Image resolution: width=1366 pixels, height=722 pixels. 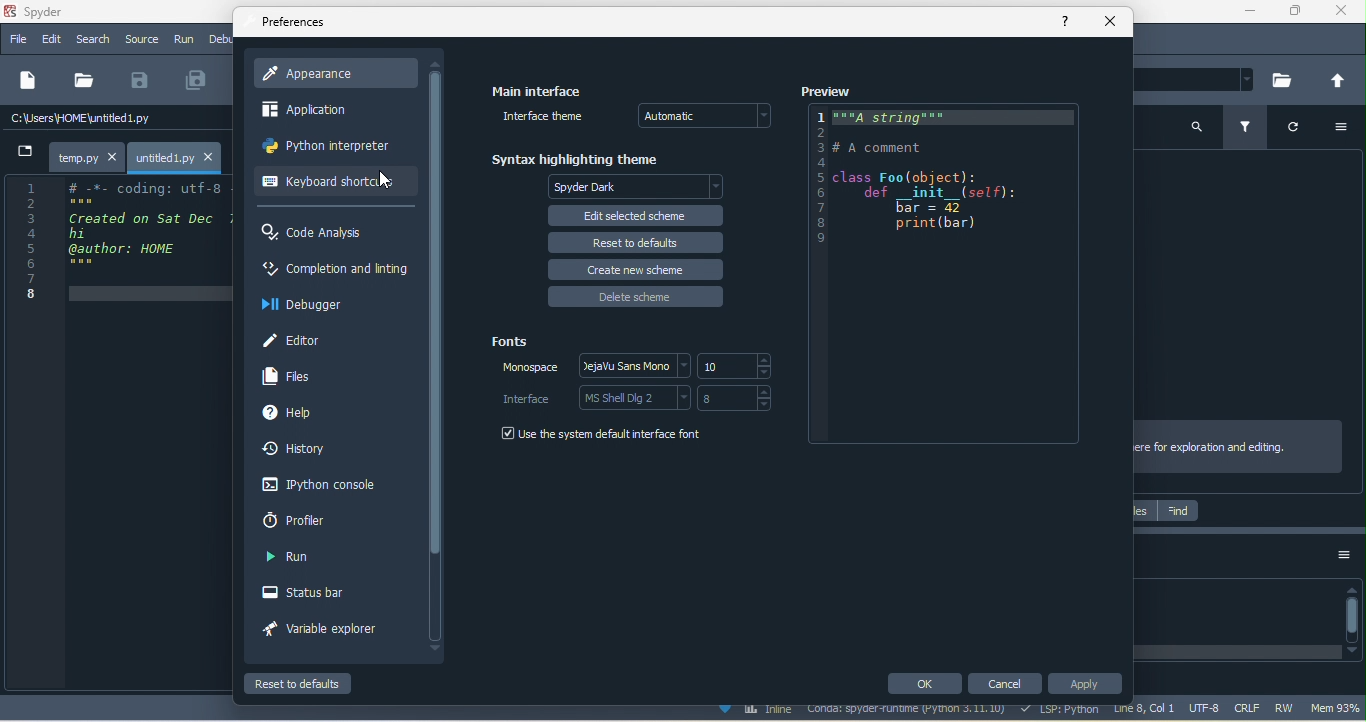 What do you see at coordinates (1241, 446) in the screenshot?
I see `run code in the editor or python console to see any global variables isted herefor exploration and editing` at bounding box center [1241, 446].